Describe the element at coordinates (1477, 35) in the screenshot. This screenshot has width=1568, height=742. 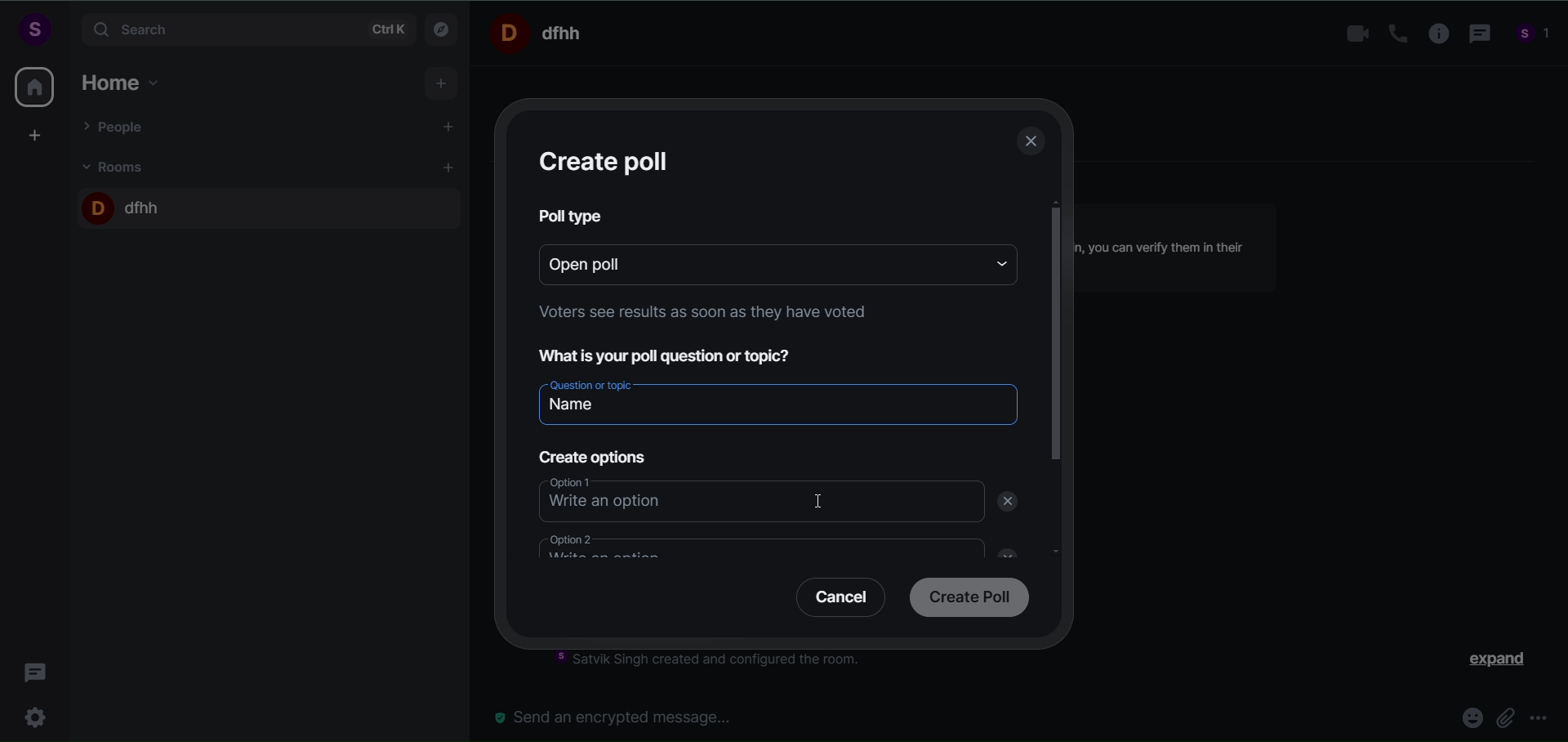
I see `thread` at that location.